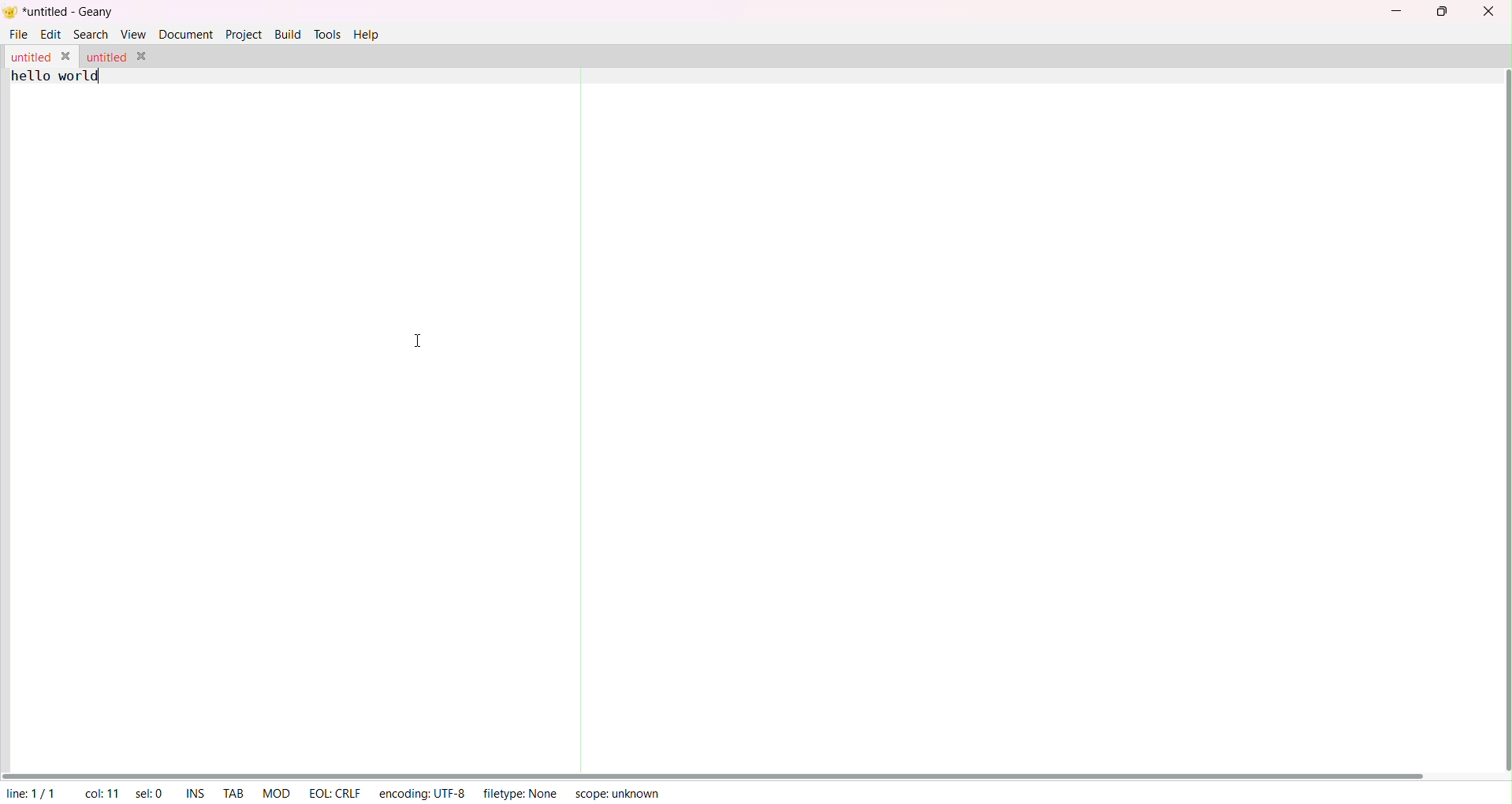 Image resolution: width=1512 pixels, height=804 pixels. Describe the element at coordinates (274, 793) in the screenshot. I see `MOD` at that location.